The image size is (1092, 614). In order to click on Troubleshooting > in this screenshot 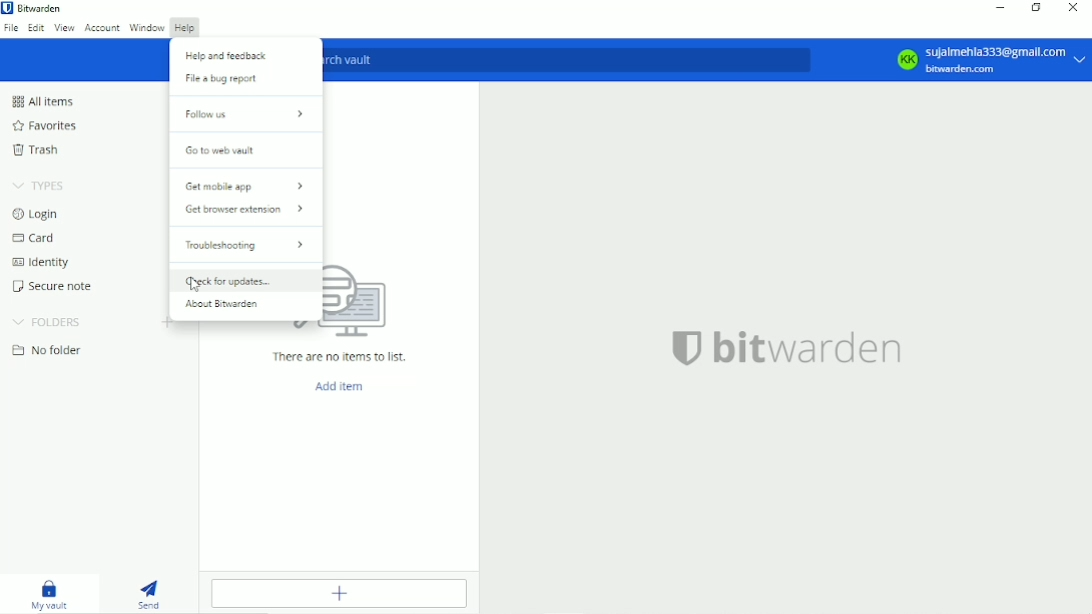, I will do `click(243, 246)`.